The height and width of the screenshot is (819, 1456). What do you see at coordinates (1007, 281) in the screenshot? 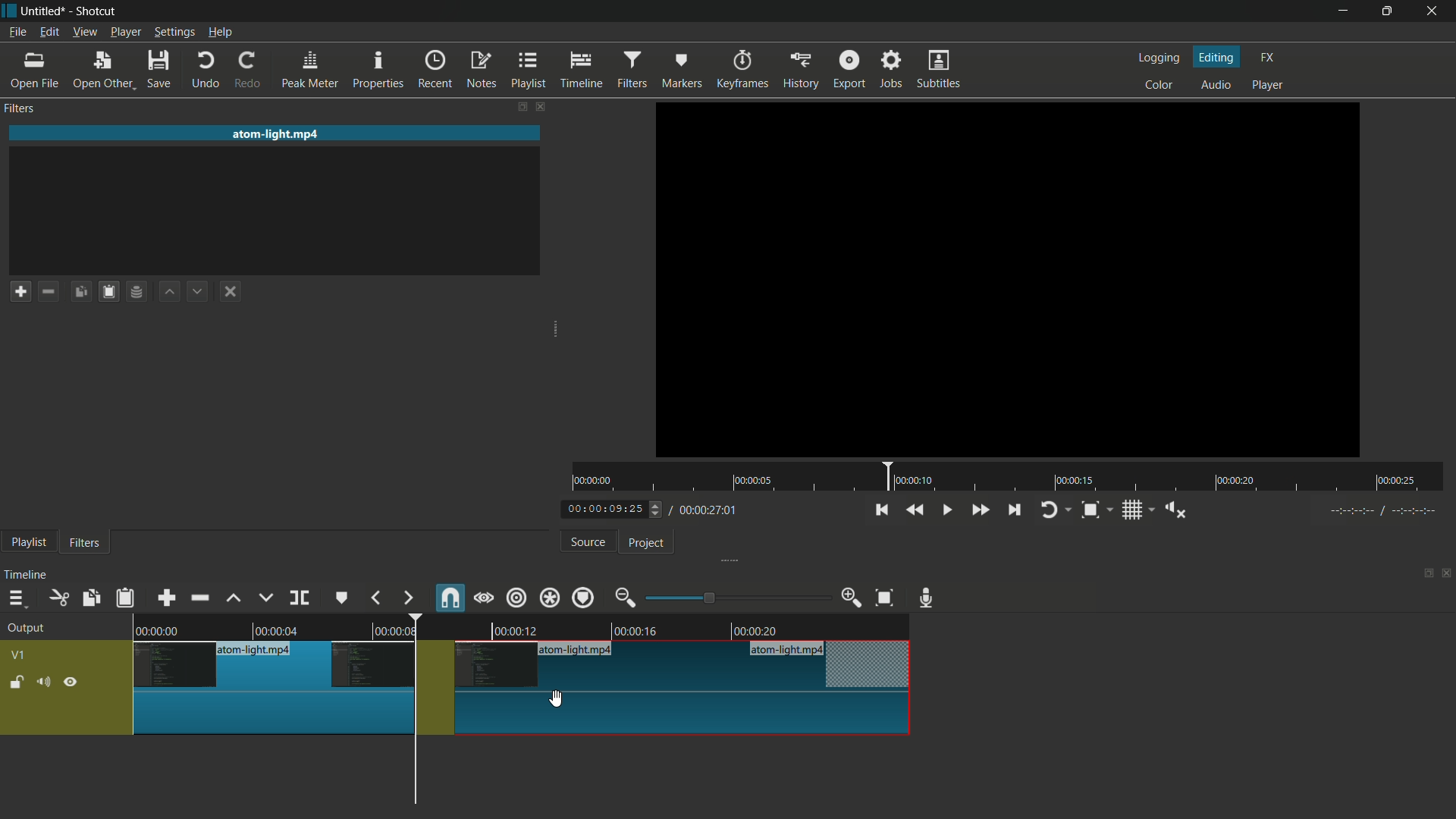
I see `` at bounding box center [1007, 281].